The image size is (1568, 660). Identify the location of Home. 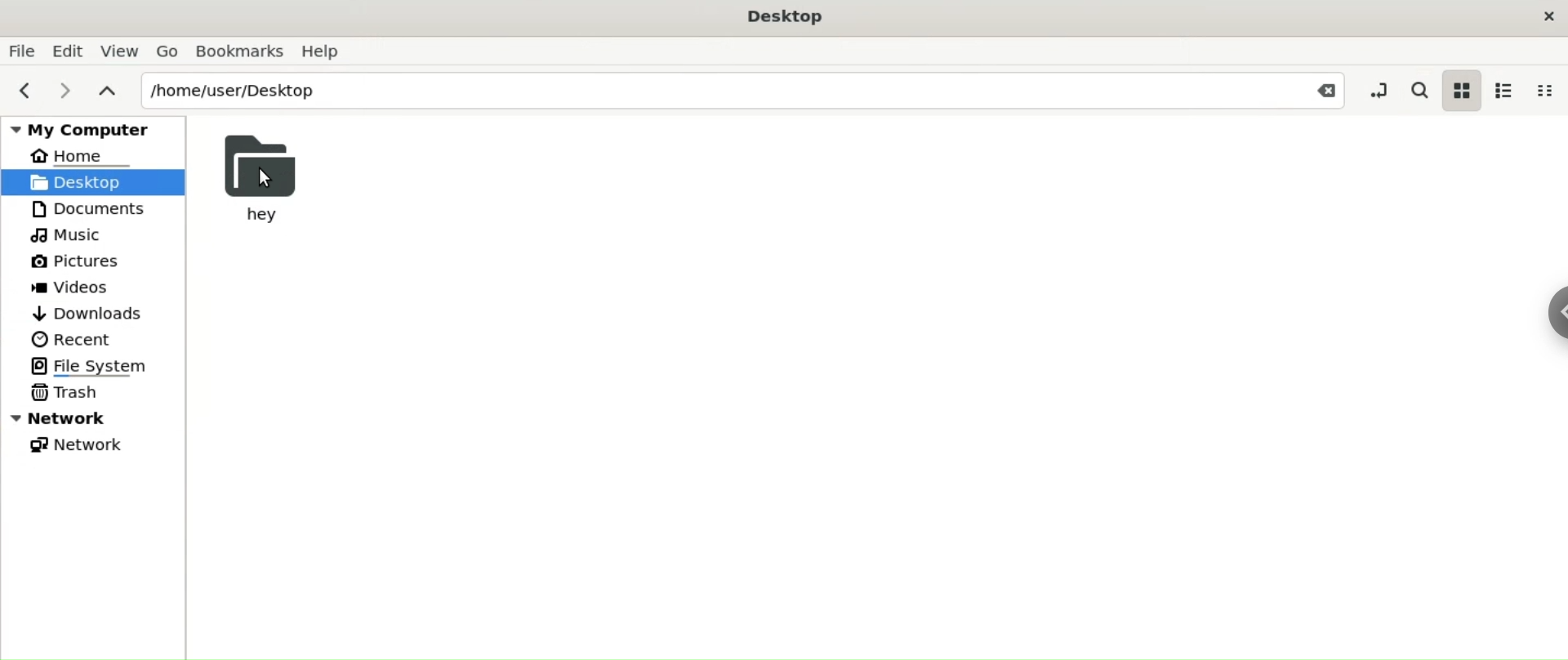
(105, 154).